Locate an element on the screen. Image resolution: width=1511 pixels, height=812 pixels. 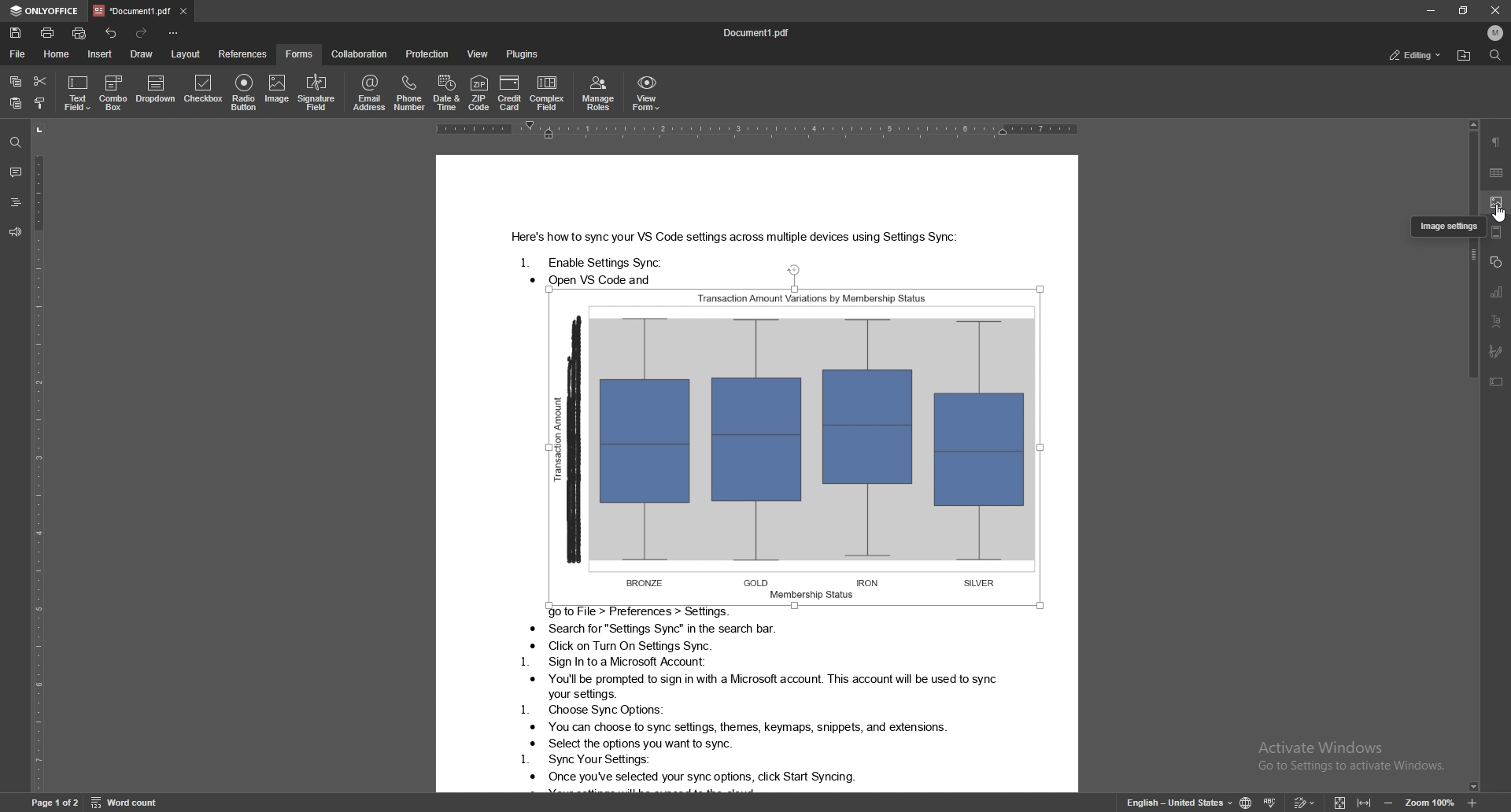
manage roles is located at coordinates (600, 92).